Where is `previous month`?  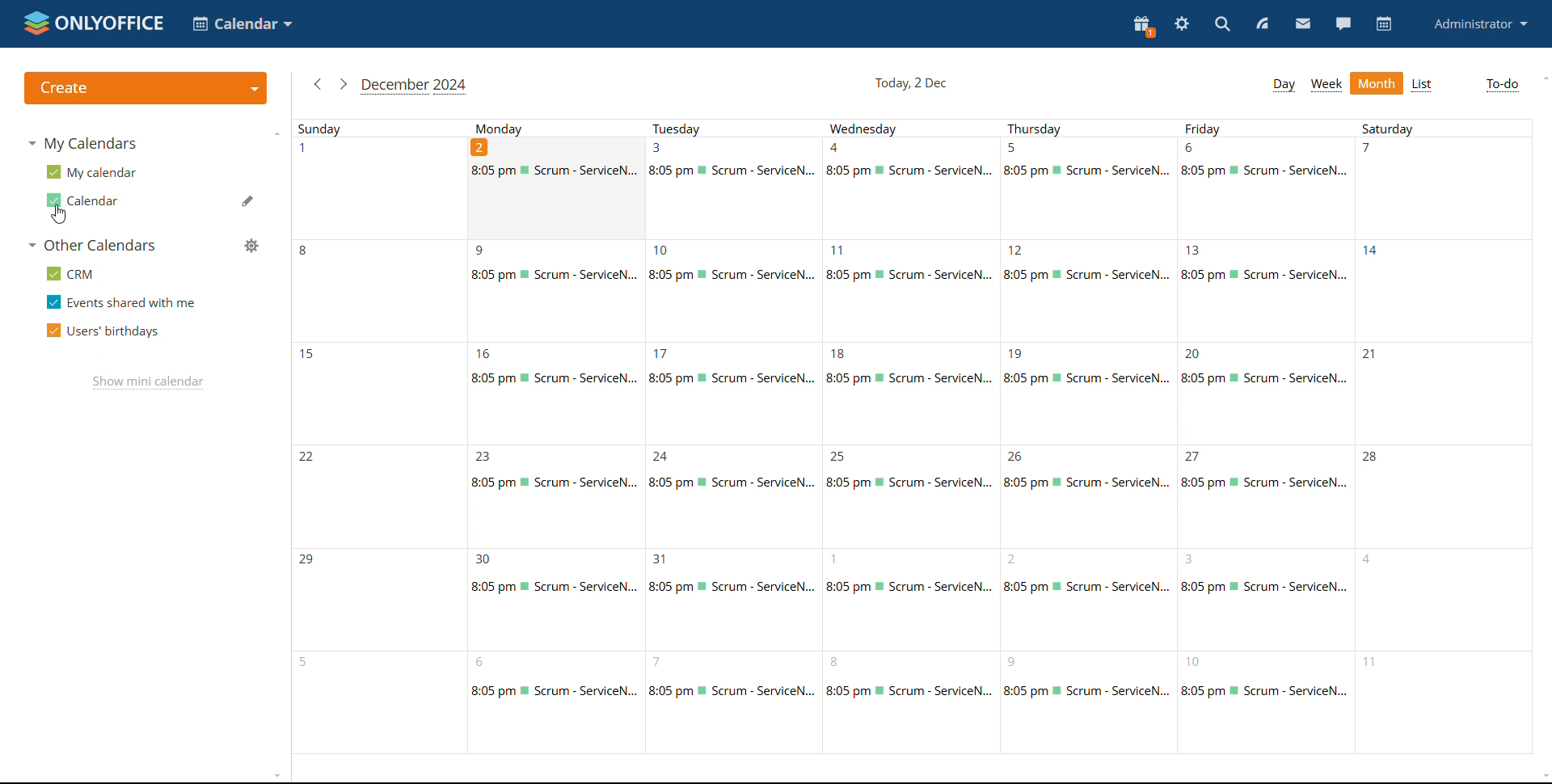
previous month is located at coordinates (318, 84).